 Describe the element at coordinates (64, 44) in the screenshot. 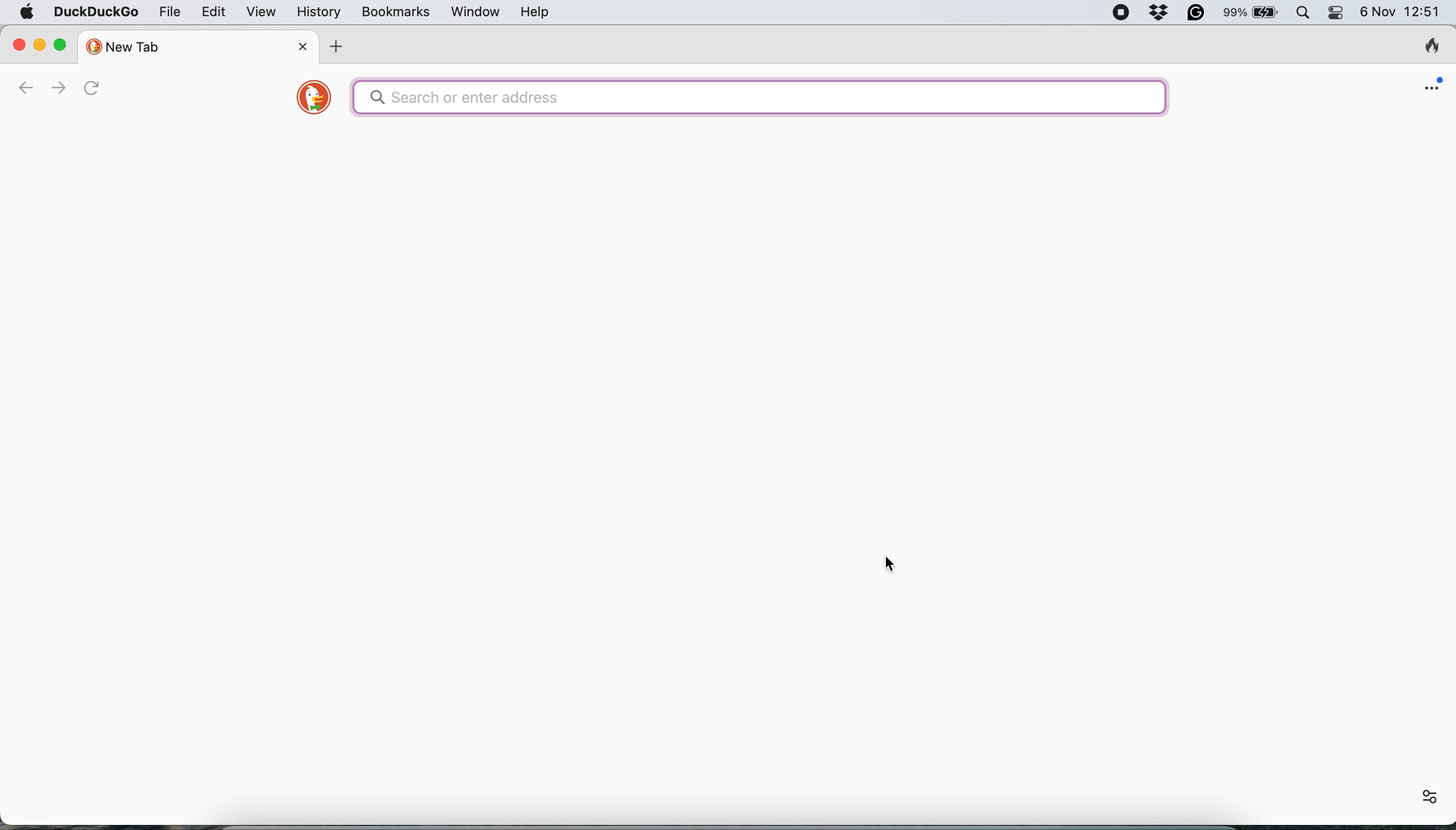

I see `maximize` at that location.